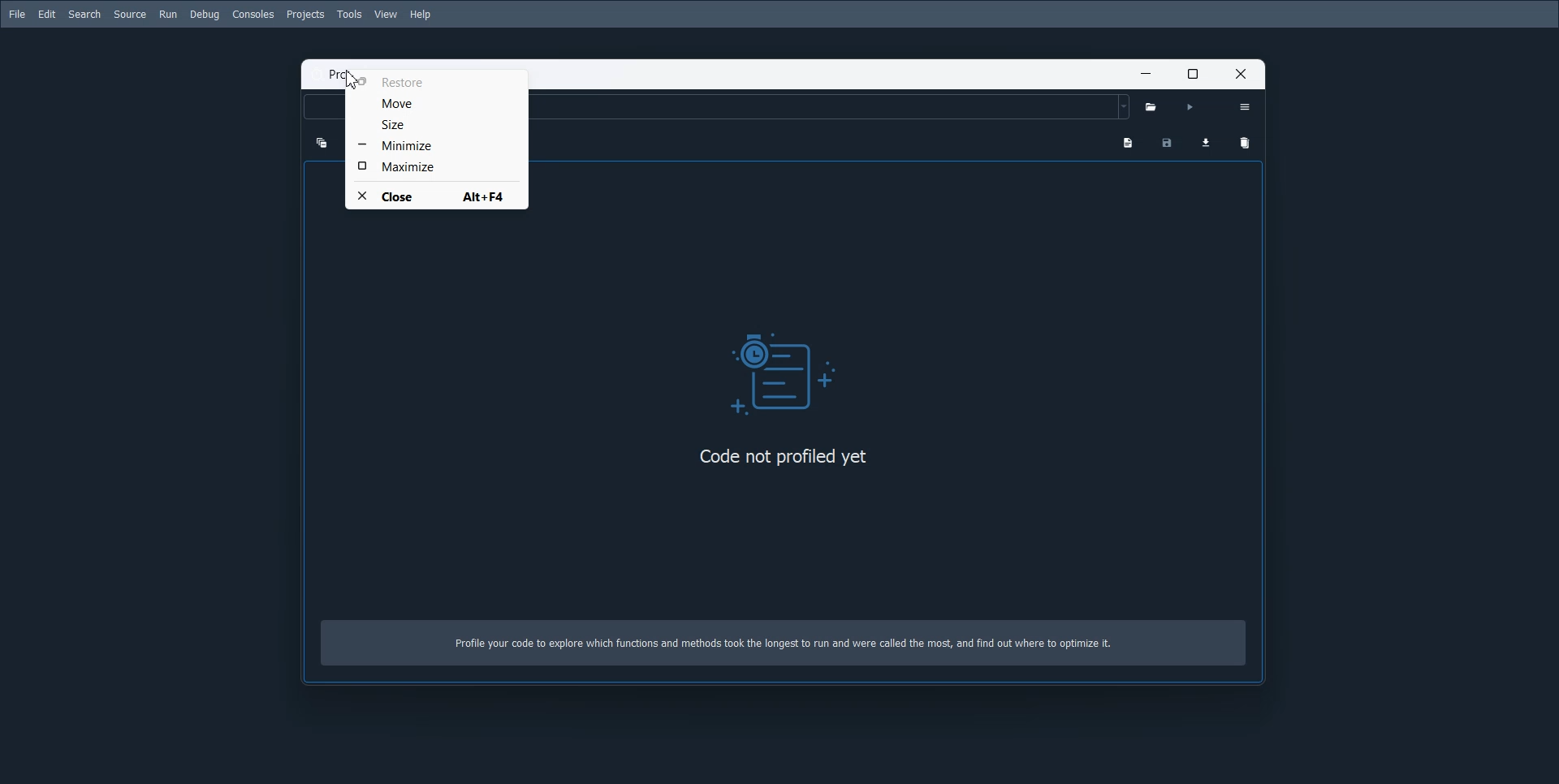 The height and width of the screenshot is (784, 1559). What do you see at coordinates (421, 15) in the screenshot?
I see `Help` at bounding box center [421, 15].